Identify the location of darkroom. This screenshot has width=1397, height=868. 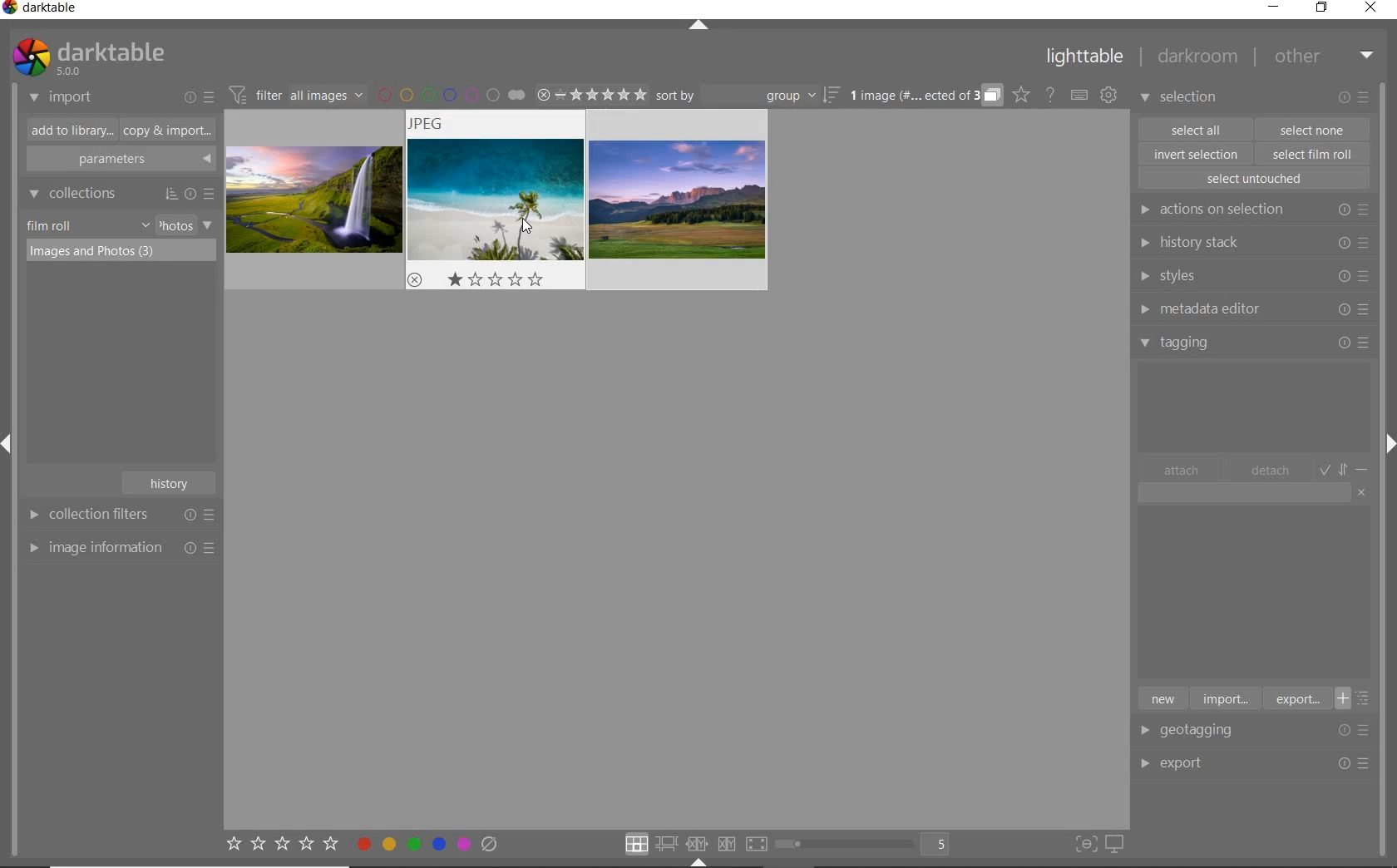
(1198, 59).